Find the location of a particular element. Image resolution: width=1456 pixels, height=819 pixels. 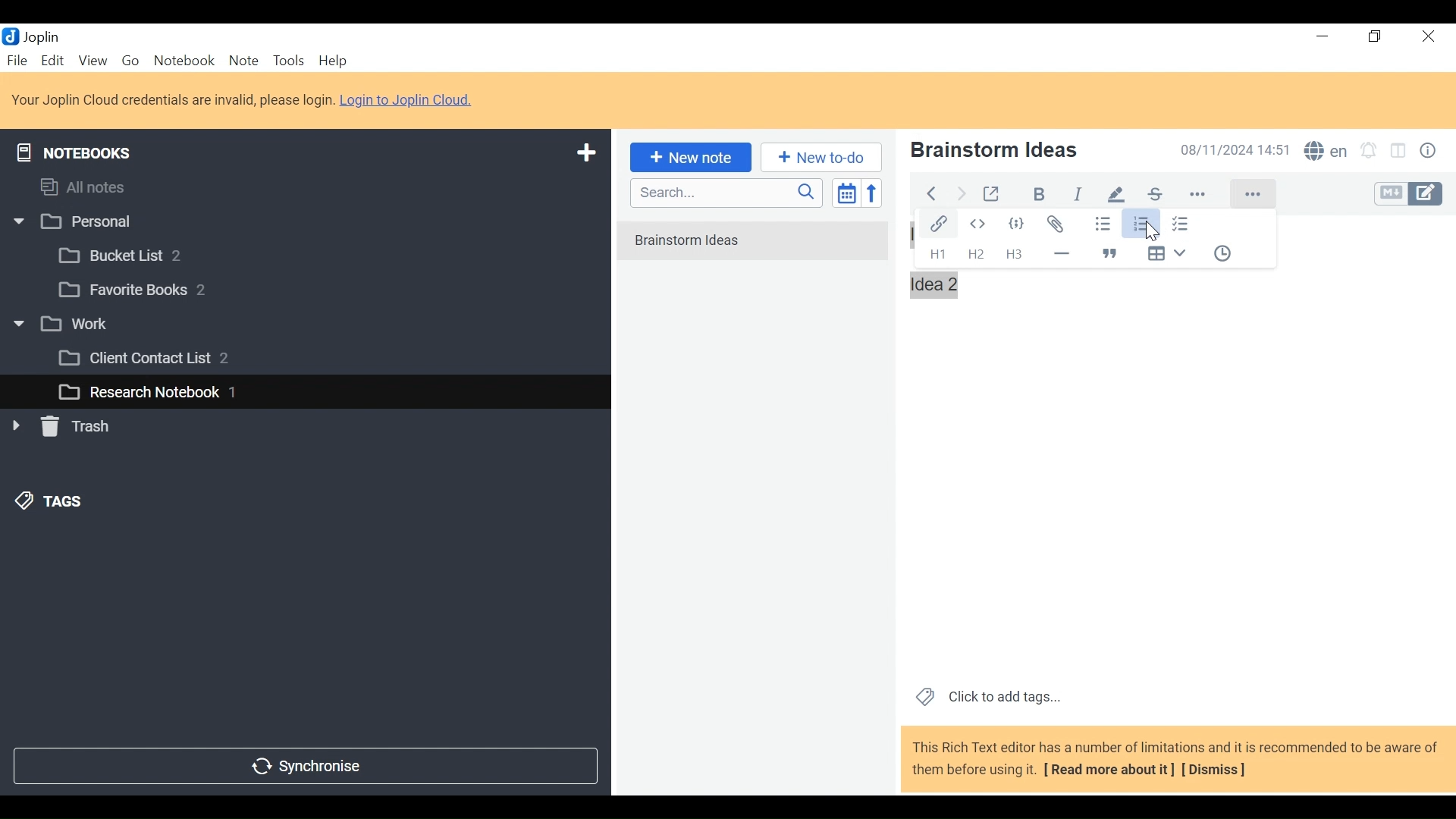

Inline Code is located at coordinates (977, 224).